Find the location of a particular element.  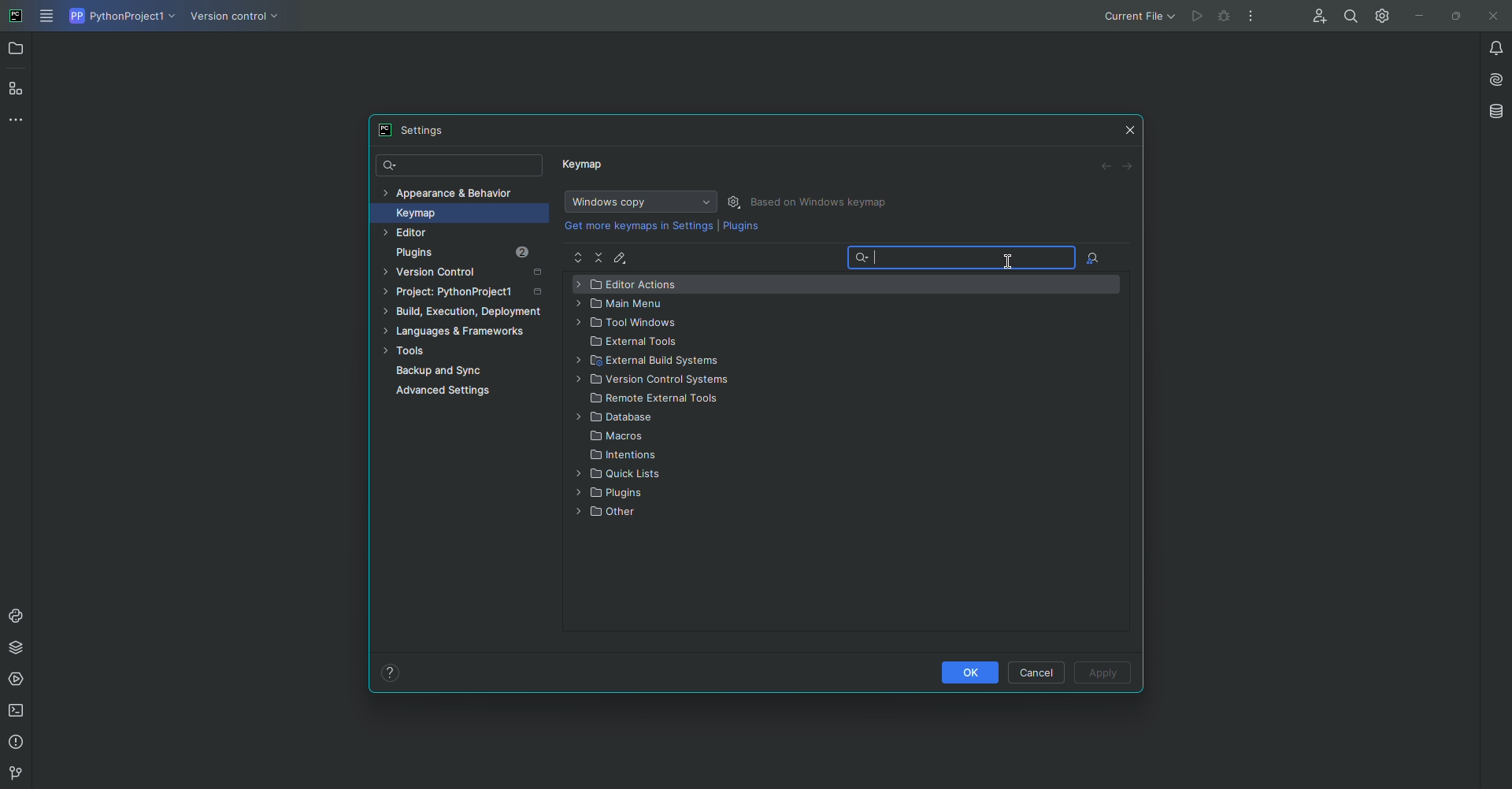

Tools is located at coordinates (460, 352).